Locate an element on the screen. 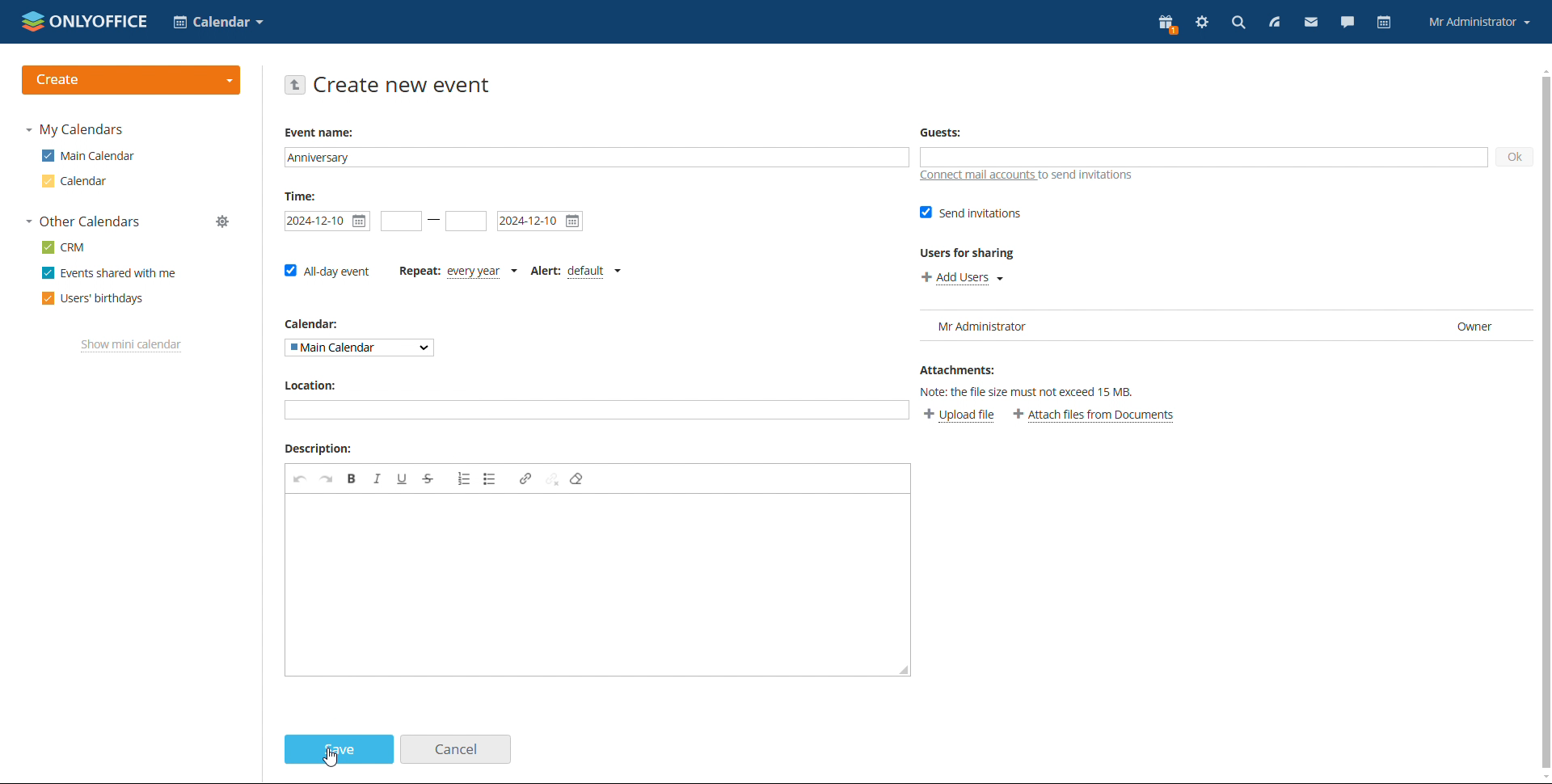  settings is located at coordinates (1200, 22).